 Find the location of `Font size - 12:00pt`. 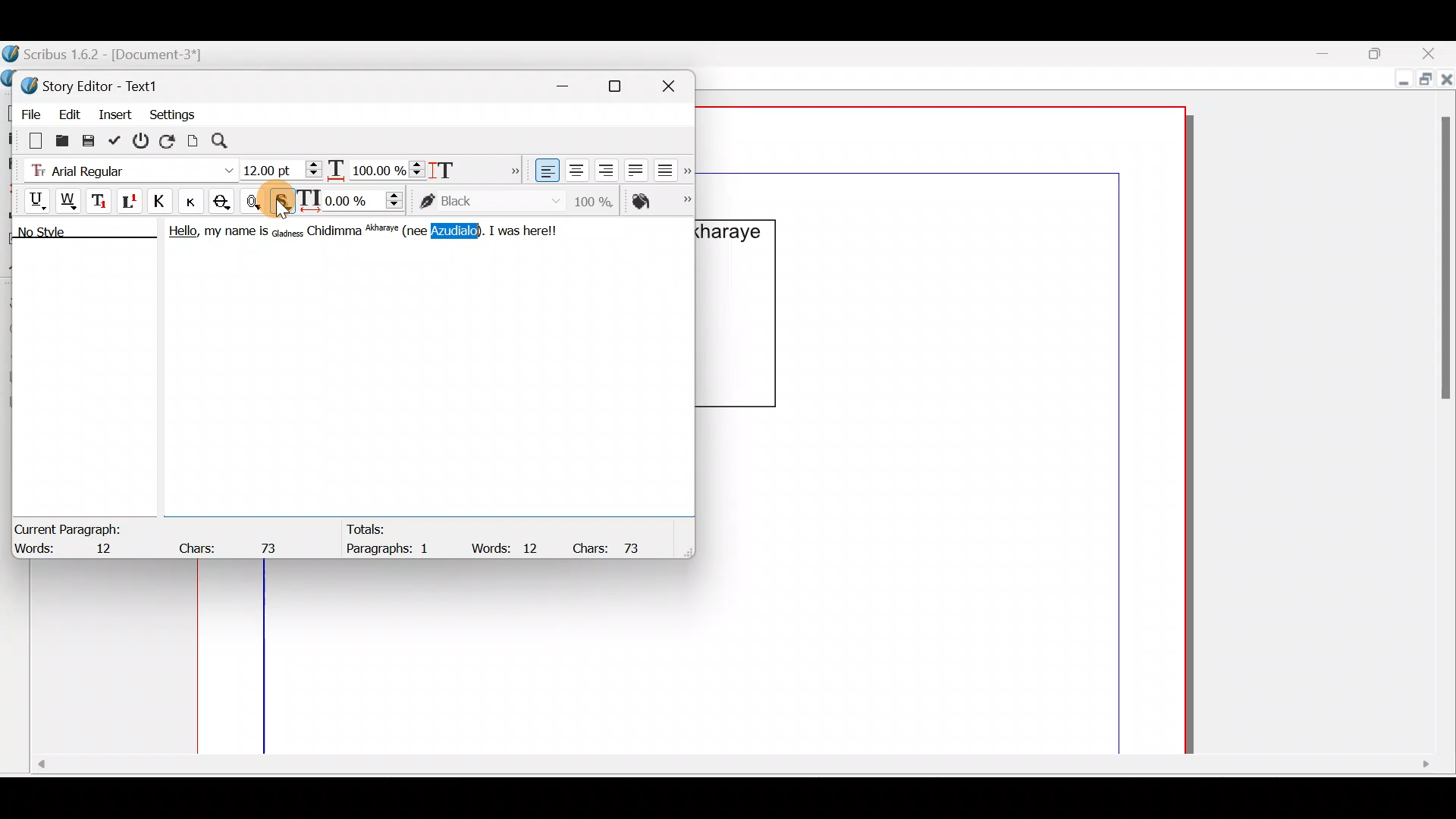

Font size - 12:00pt is located at coordinates (283, 170).